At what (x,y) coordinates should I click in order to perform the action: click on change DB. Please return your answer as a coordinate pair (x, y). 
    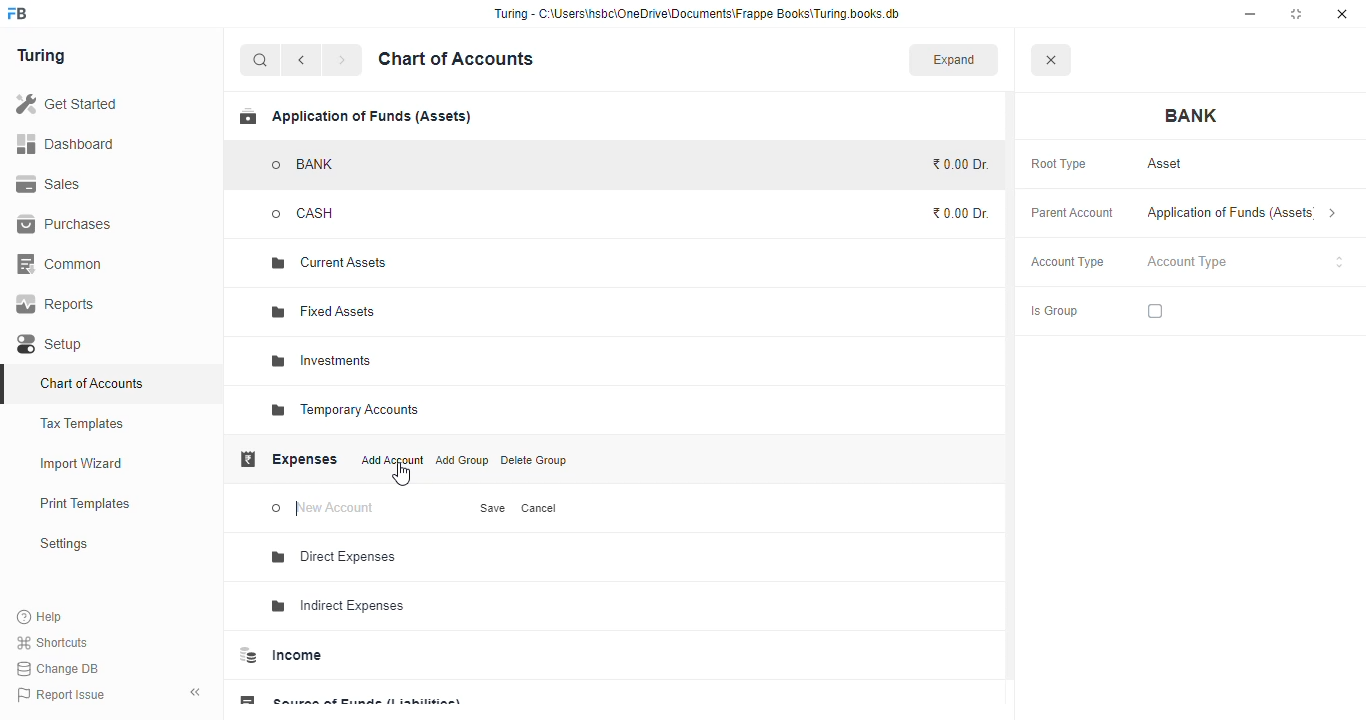
    Looking at the image, I should click on (59, 668).